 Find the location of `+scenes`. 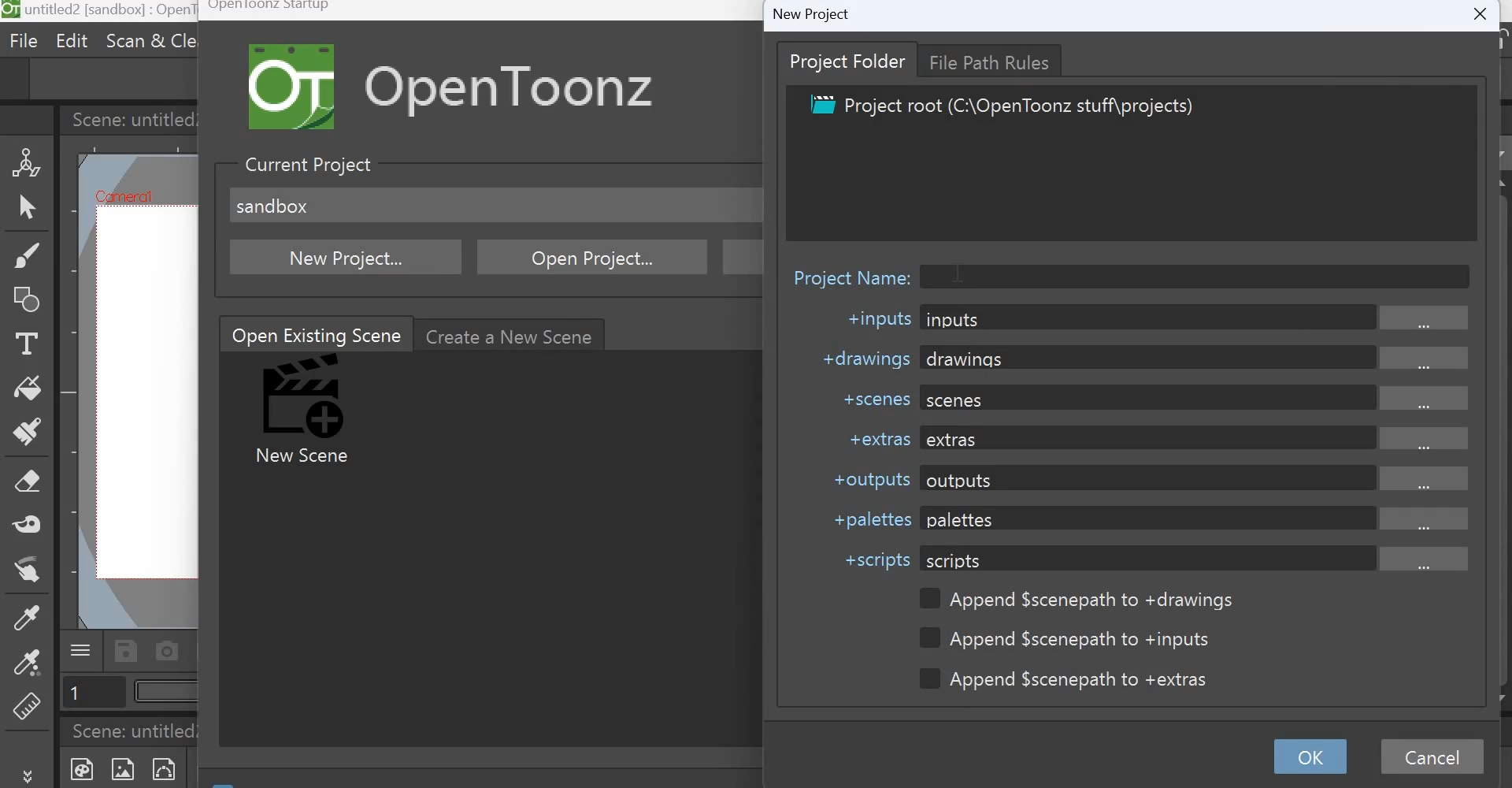

+scenes is located at coordinates (872, 397).